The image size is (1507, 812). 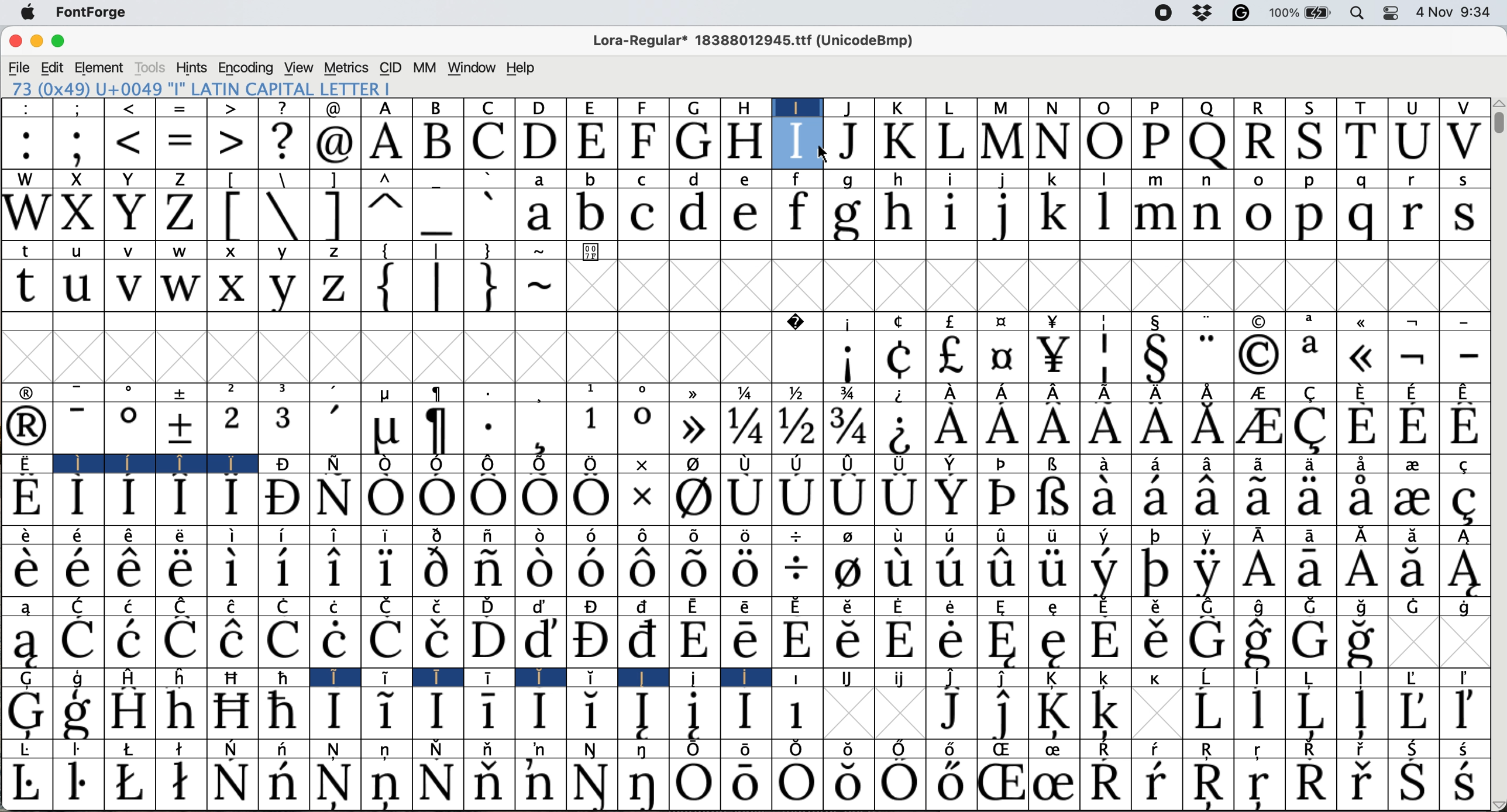 I want to click on Symbol, so click(x=491, y=536).